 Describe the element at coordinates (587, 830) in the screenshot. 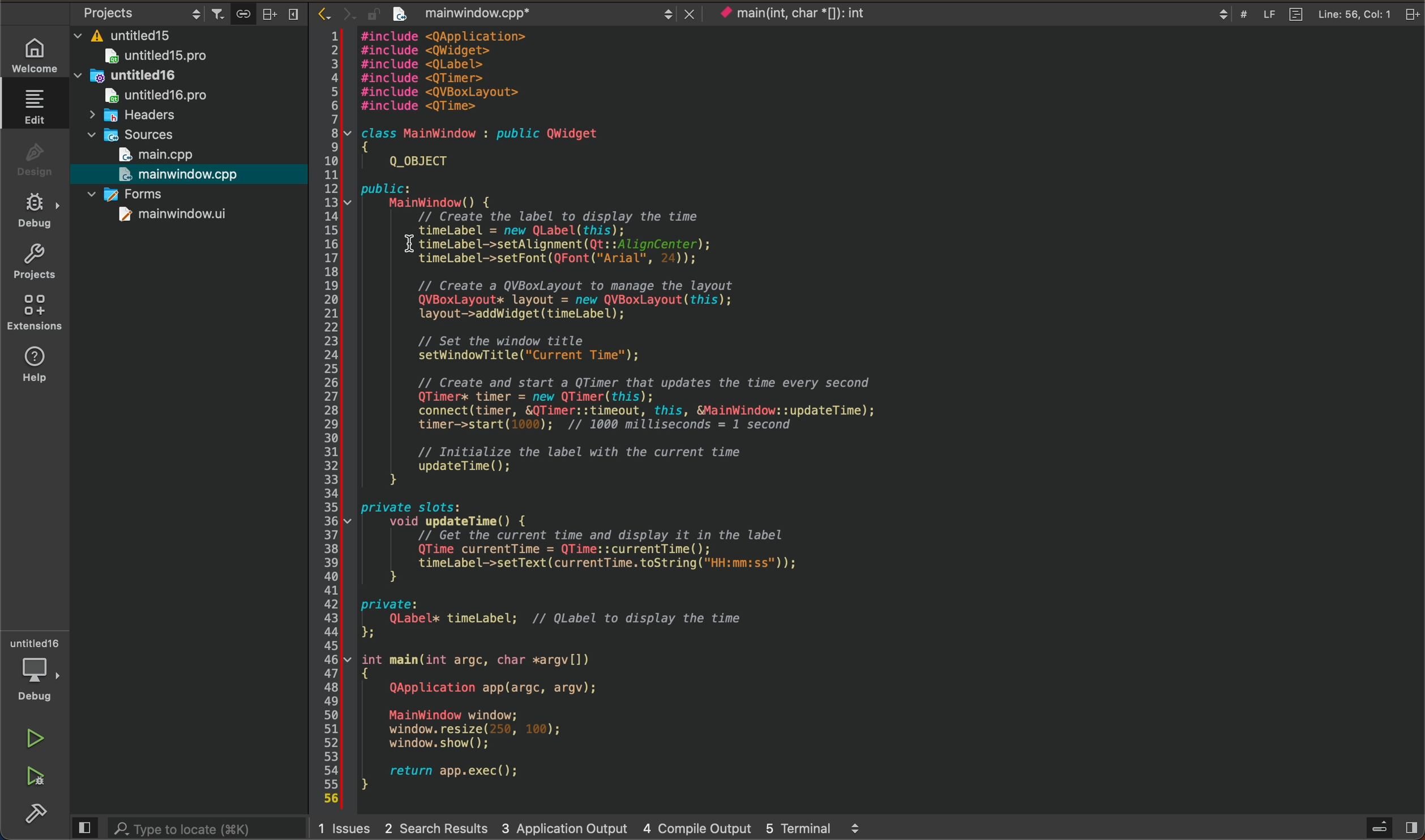

I see `1 Issues 2 Search Results 3 Application Output 4 Compile Output 5 Terminal` at that location.